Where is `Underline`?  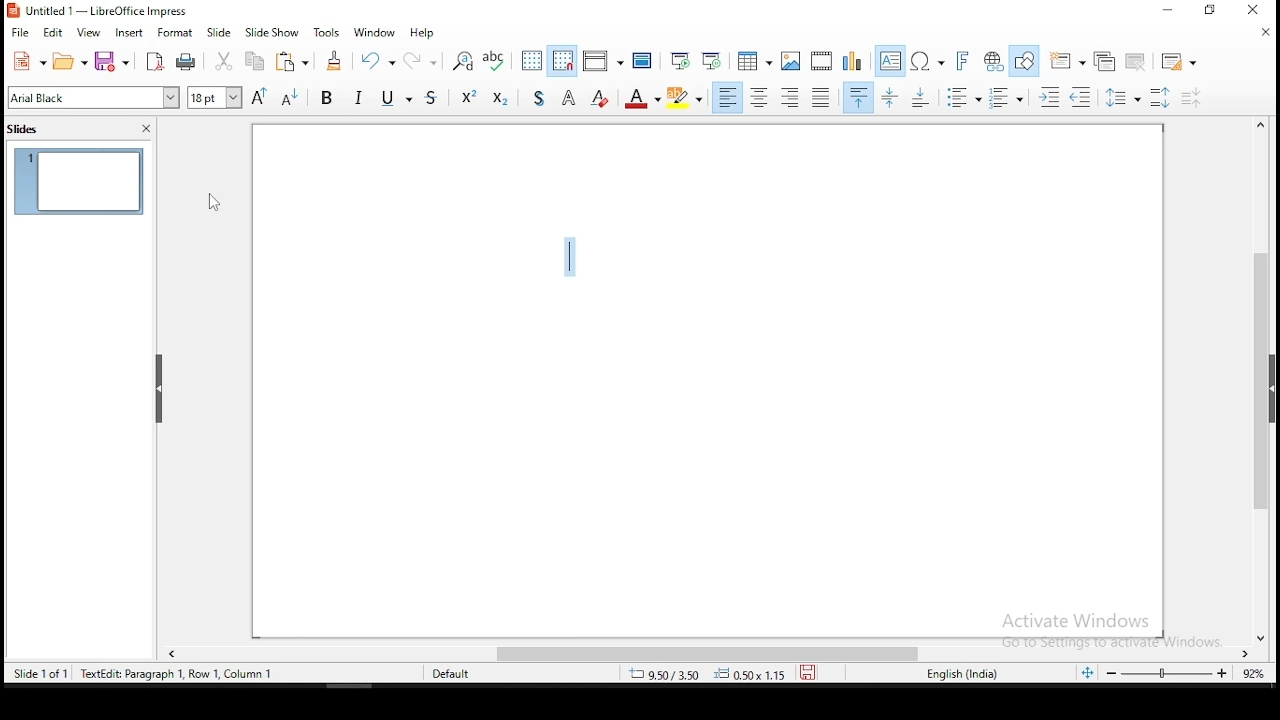
Underline is located at coordinates (395, 96).